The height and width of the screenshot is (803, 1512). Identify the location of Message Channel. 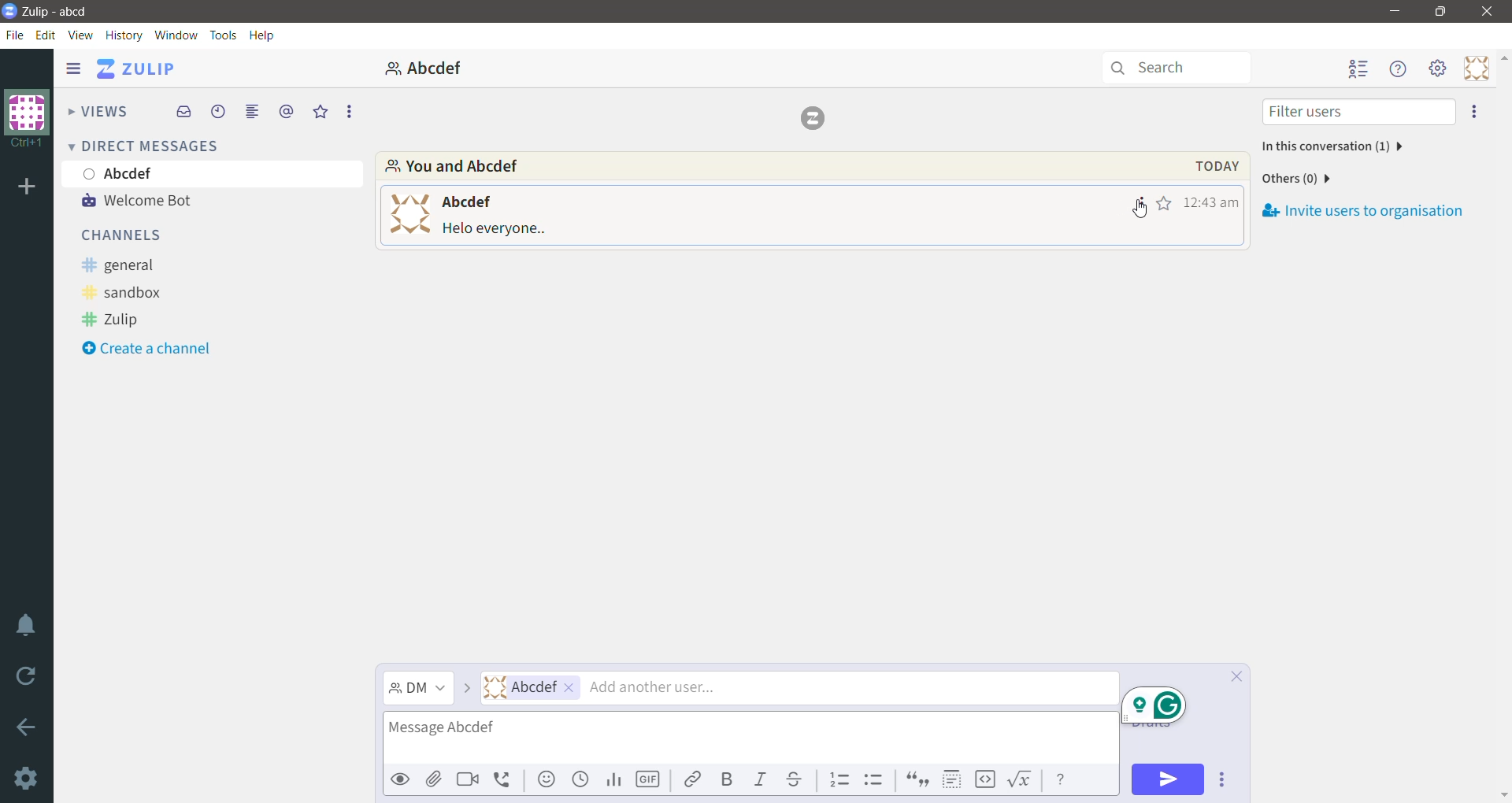
(418, 689).